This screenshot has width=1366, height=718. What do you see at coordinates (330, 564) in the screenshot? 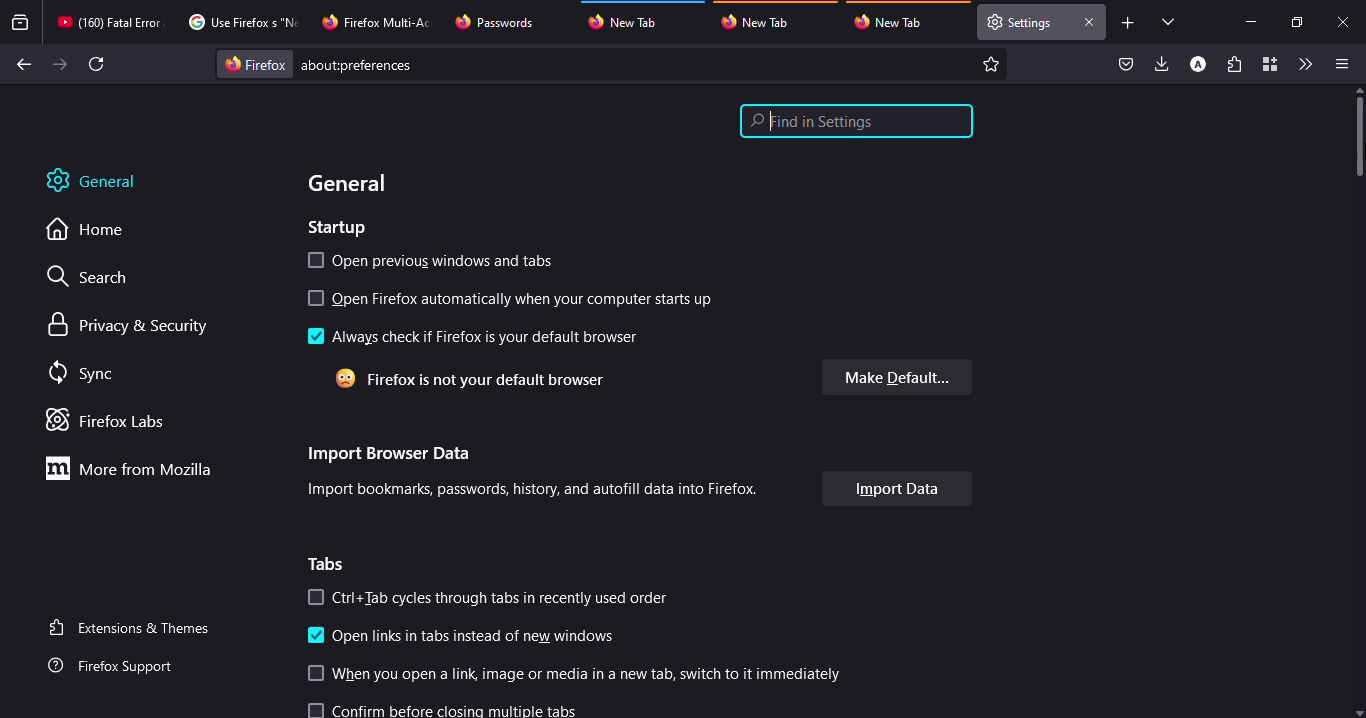
I see `tabs` at bounding box center [330, 564].